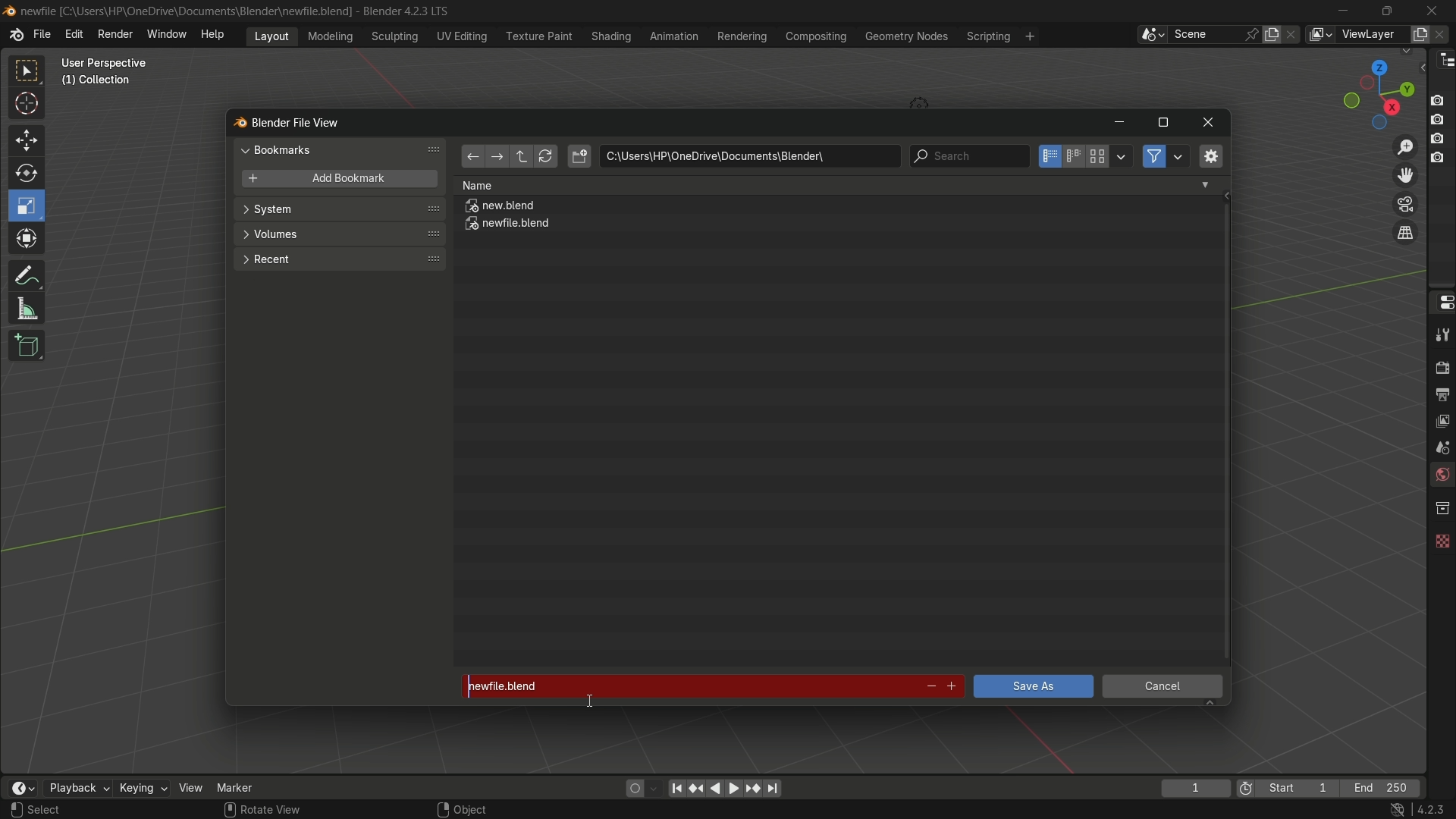 The width and height of the screenshot is (1456, 819). What do you see at coordinates (697, 786) in the screenshot?
I see `jump to keyframe` at bounding box center [697, 786].